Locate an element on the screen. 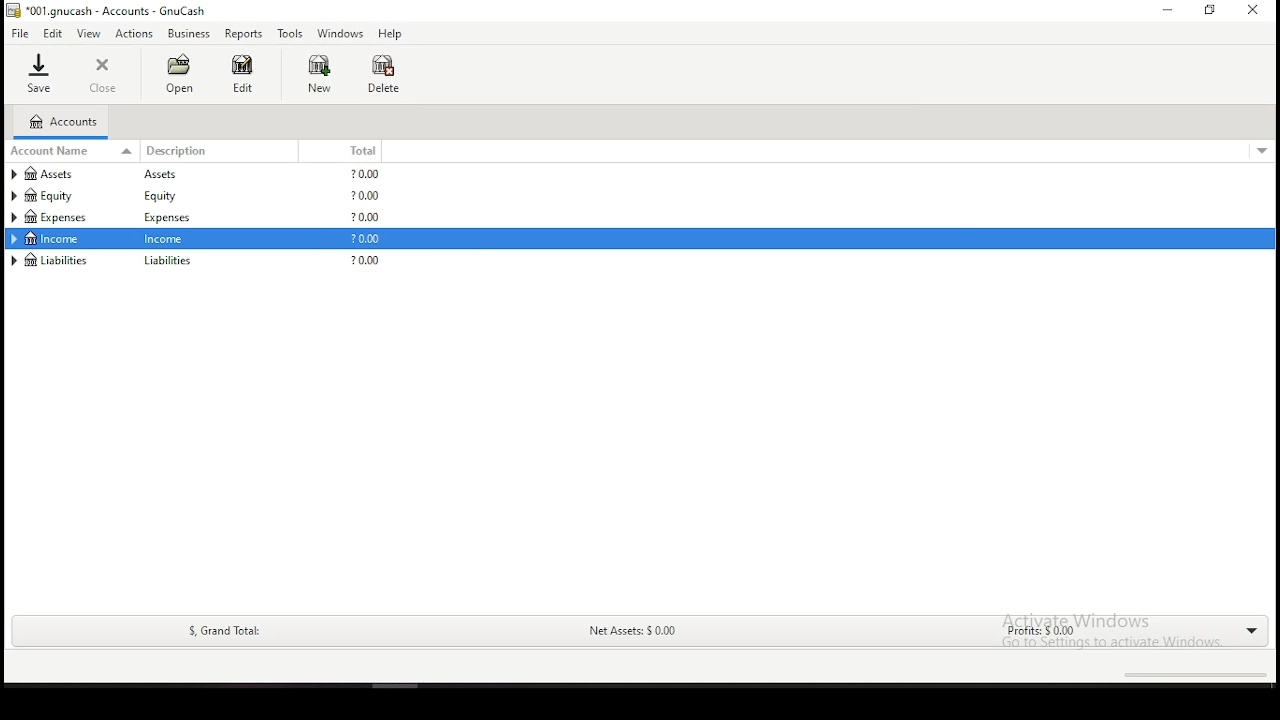  assets is located at coordinates (170, 175).